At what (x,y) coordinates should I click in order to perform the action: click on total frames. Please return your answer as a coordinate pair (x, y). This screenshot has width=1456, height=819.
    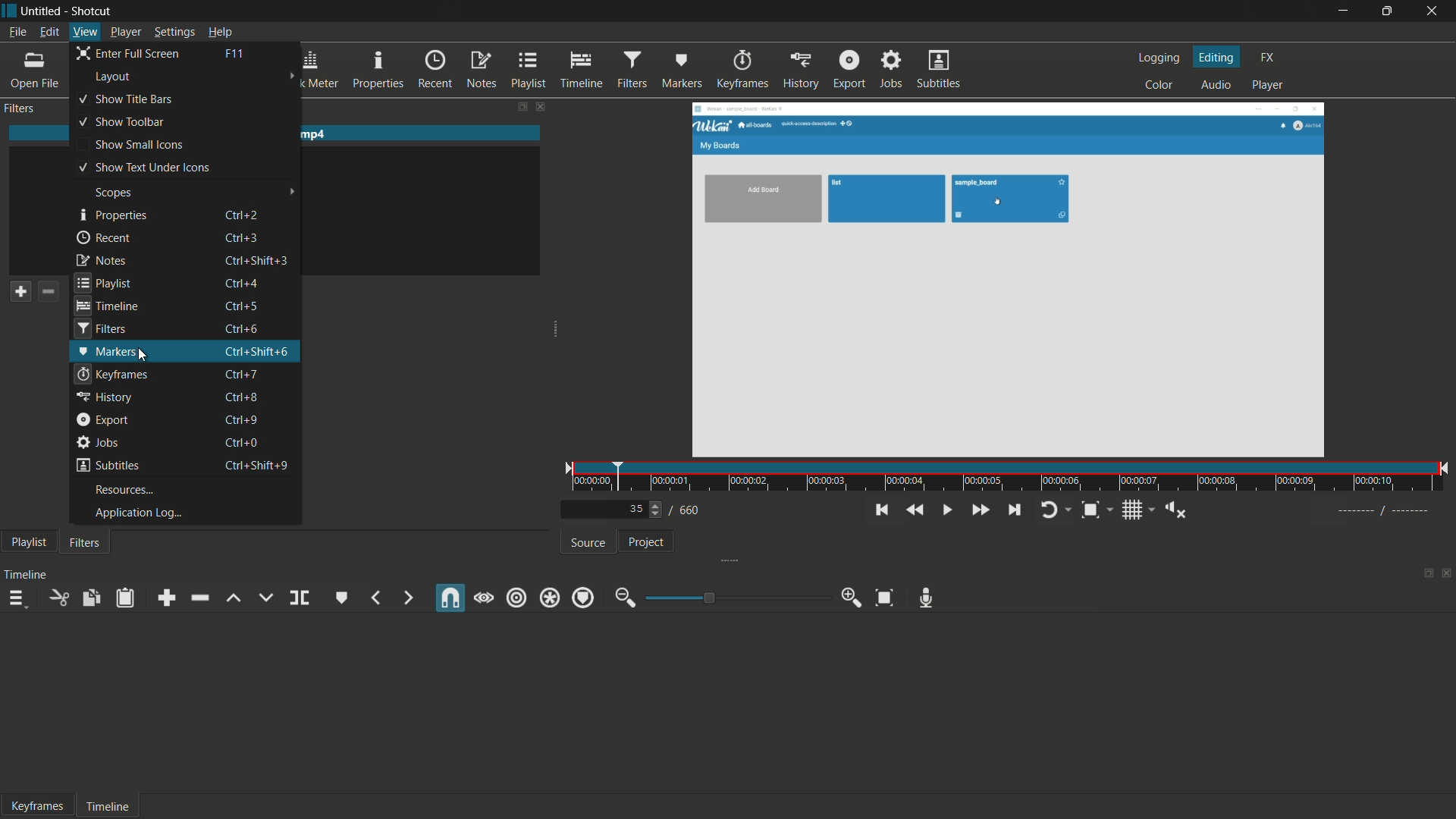
    Looking at the image, I should click on (691, 510).